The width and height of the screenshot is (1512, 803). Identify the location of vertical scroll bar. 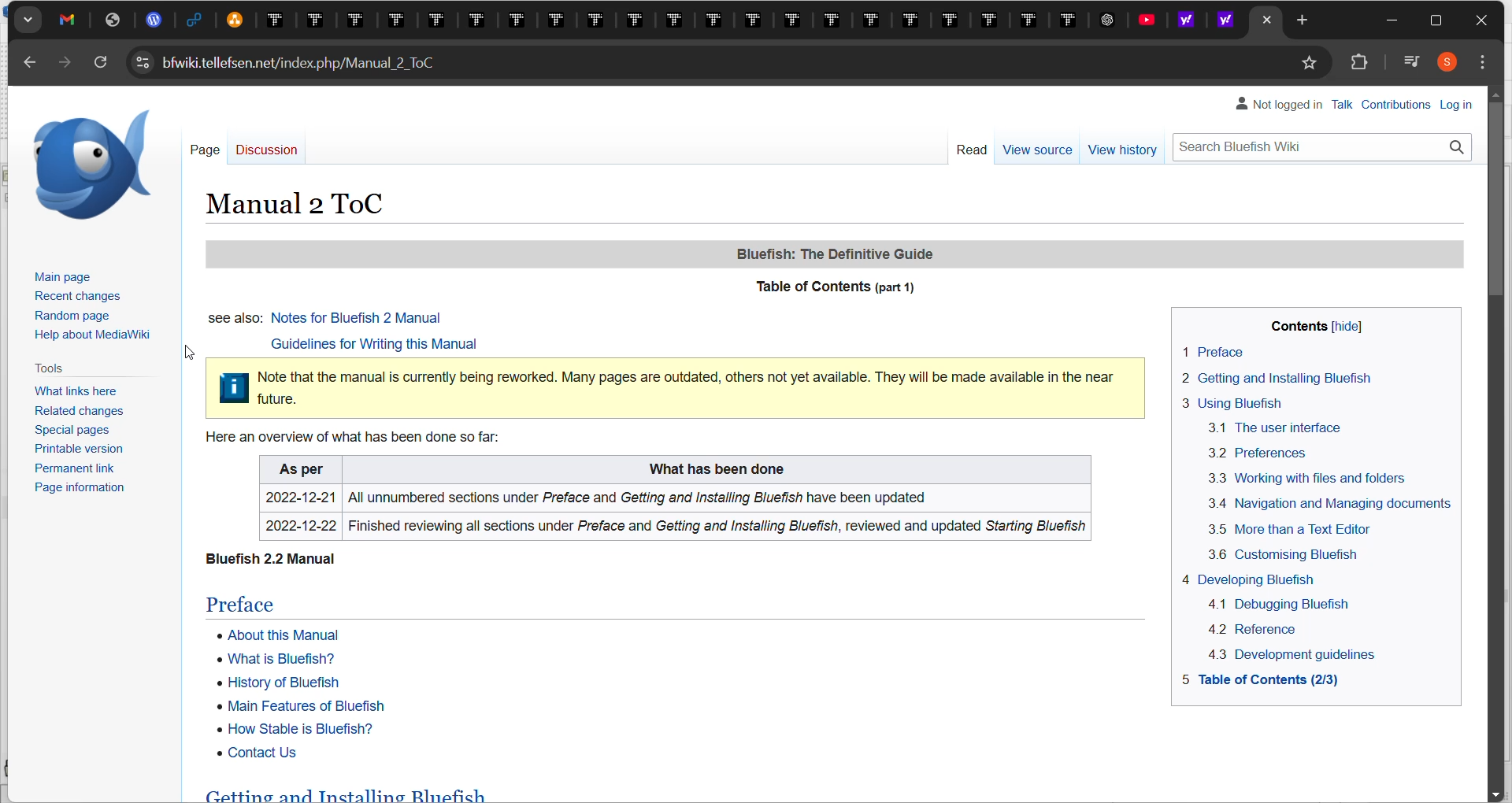
(1497, 205).